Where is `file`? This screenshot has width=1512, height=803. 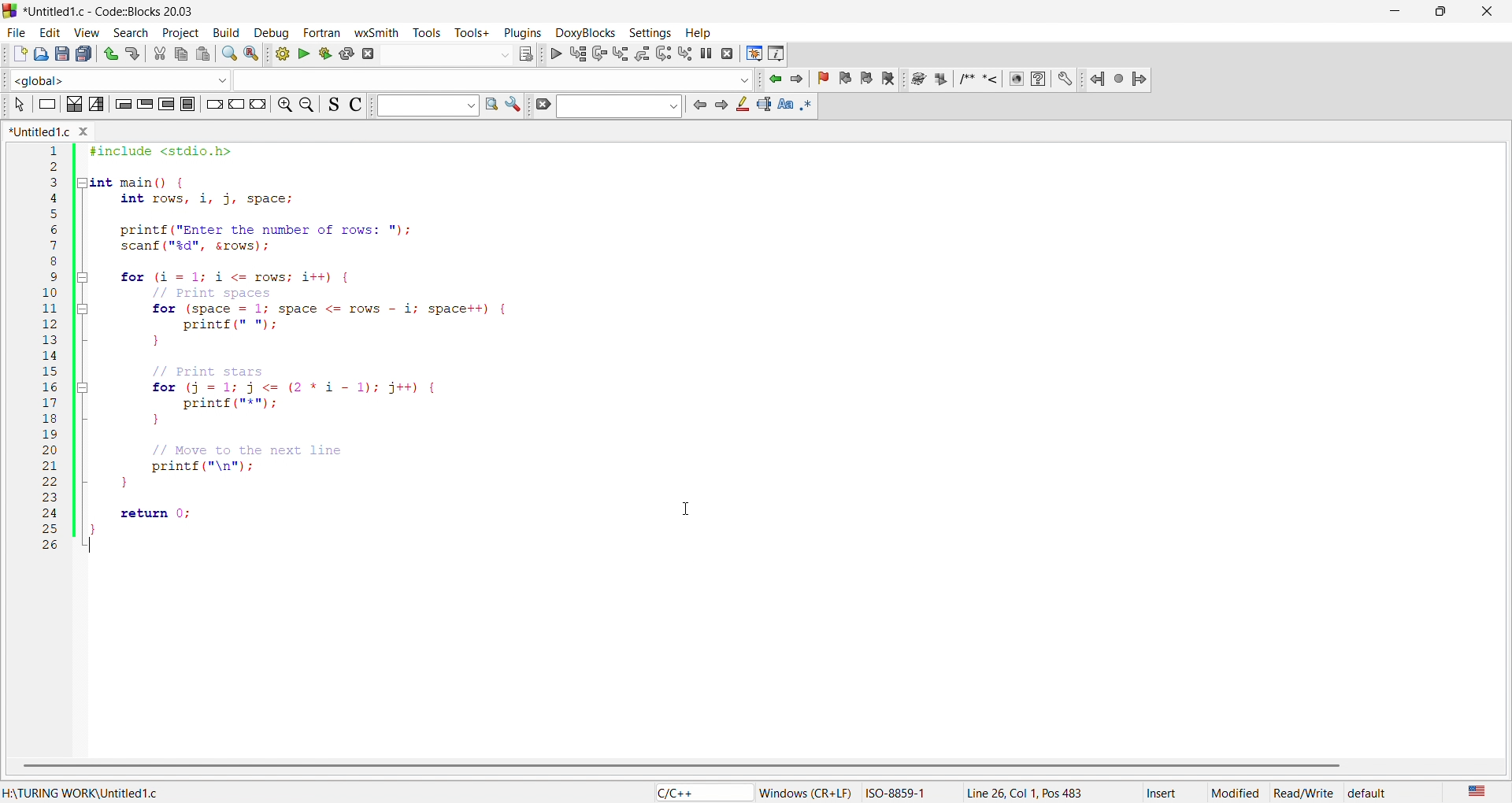
file is located at coordinates (17, 30).